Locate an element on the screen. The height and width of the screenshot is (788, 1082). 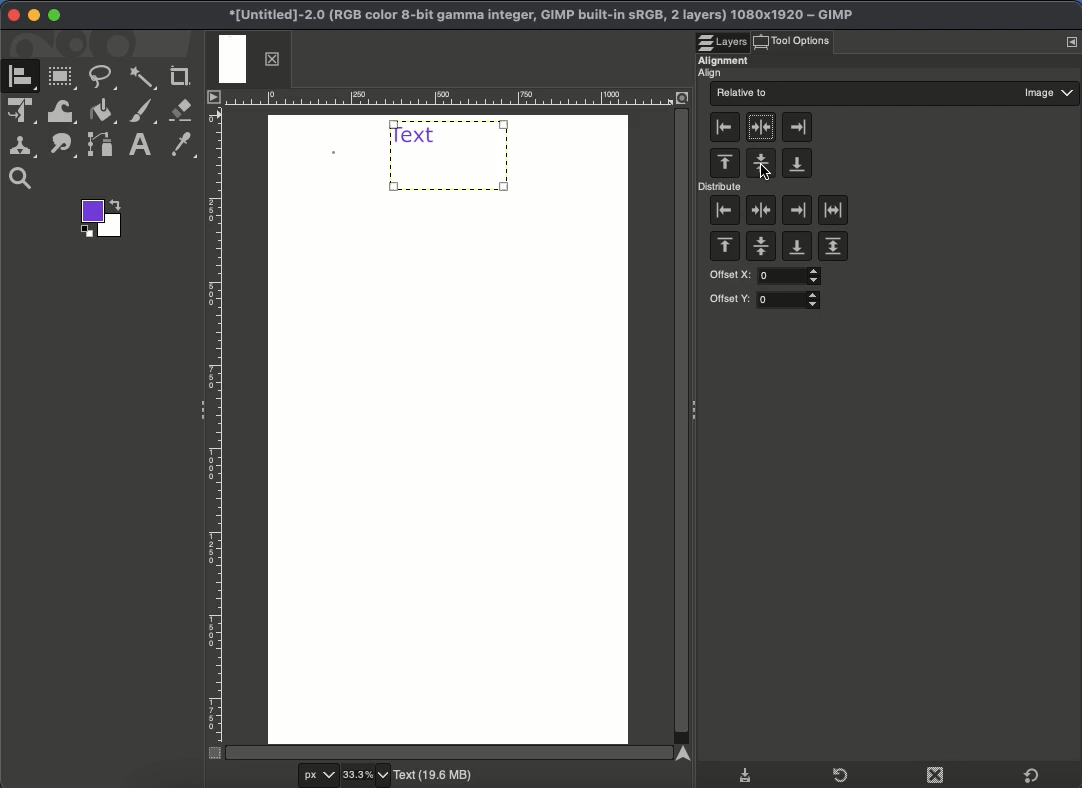
Duplicate is located at coordinates (934, 777).